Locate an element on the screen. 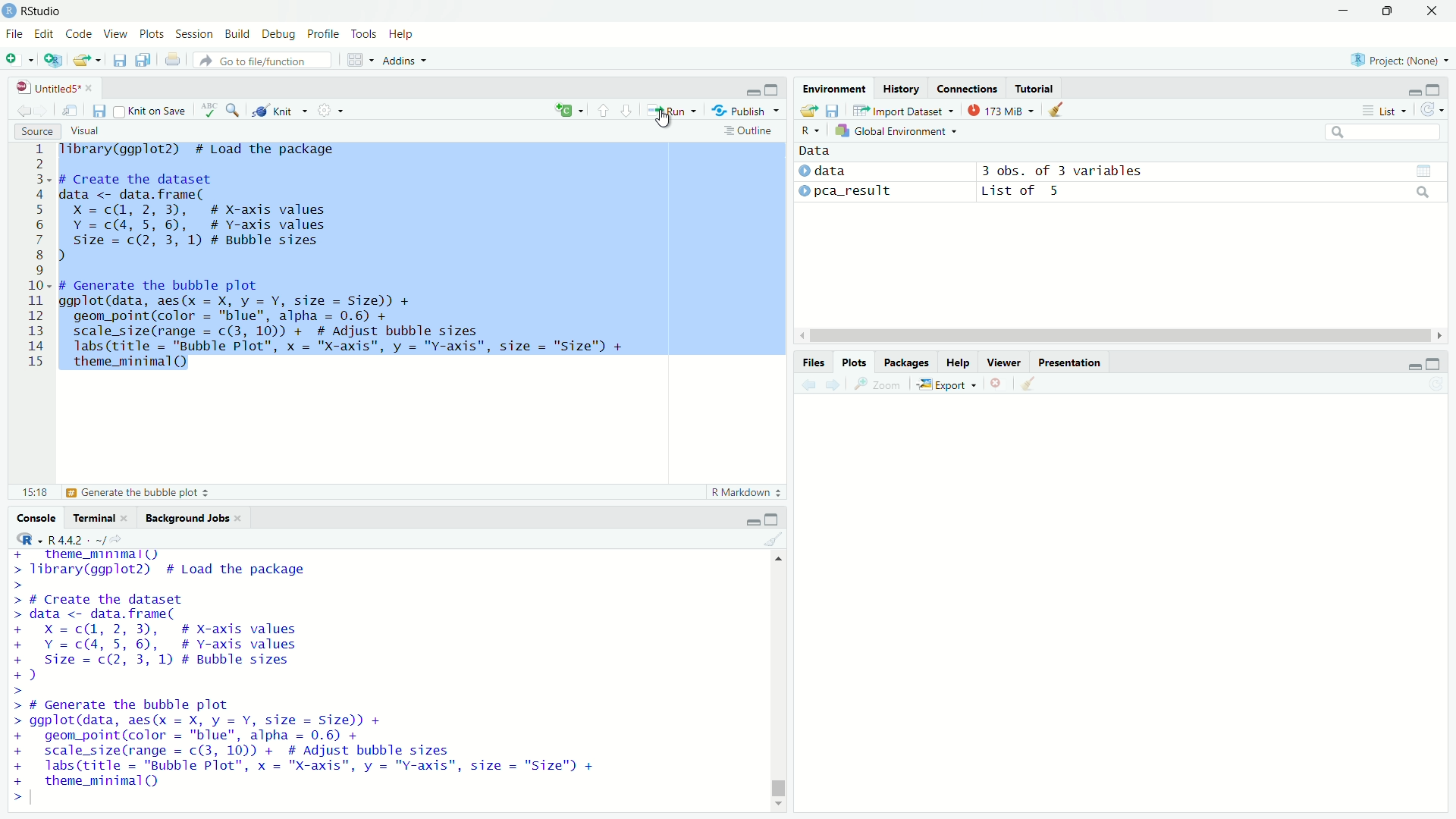 This screenshot has height=819, width=1456. help is located at coordinates (958, 362).